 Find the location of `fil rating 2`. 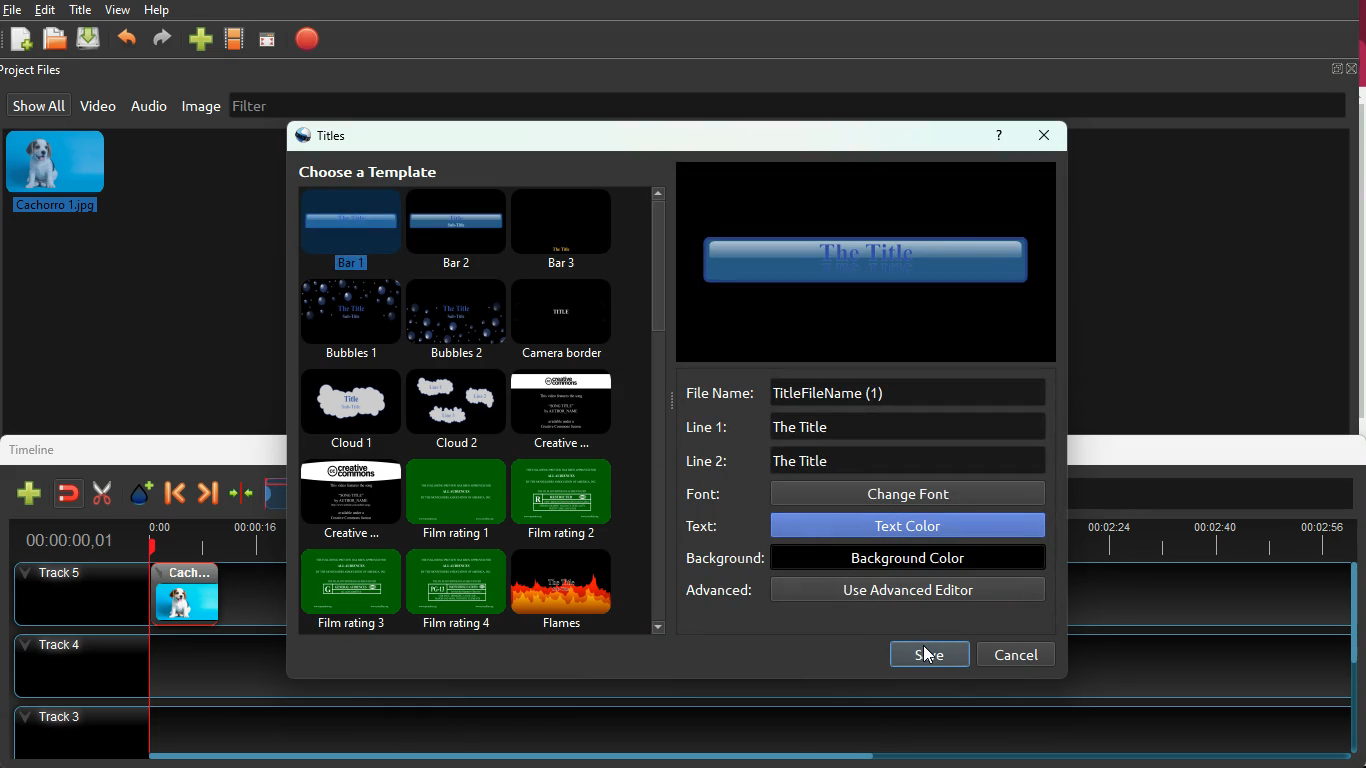

fil rating 2 is located at coordinates (564, 499).